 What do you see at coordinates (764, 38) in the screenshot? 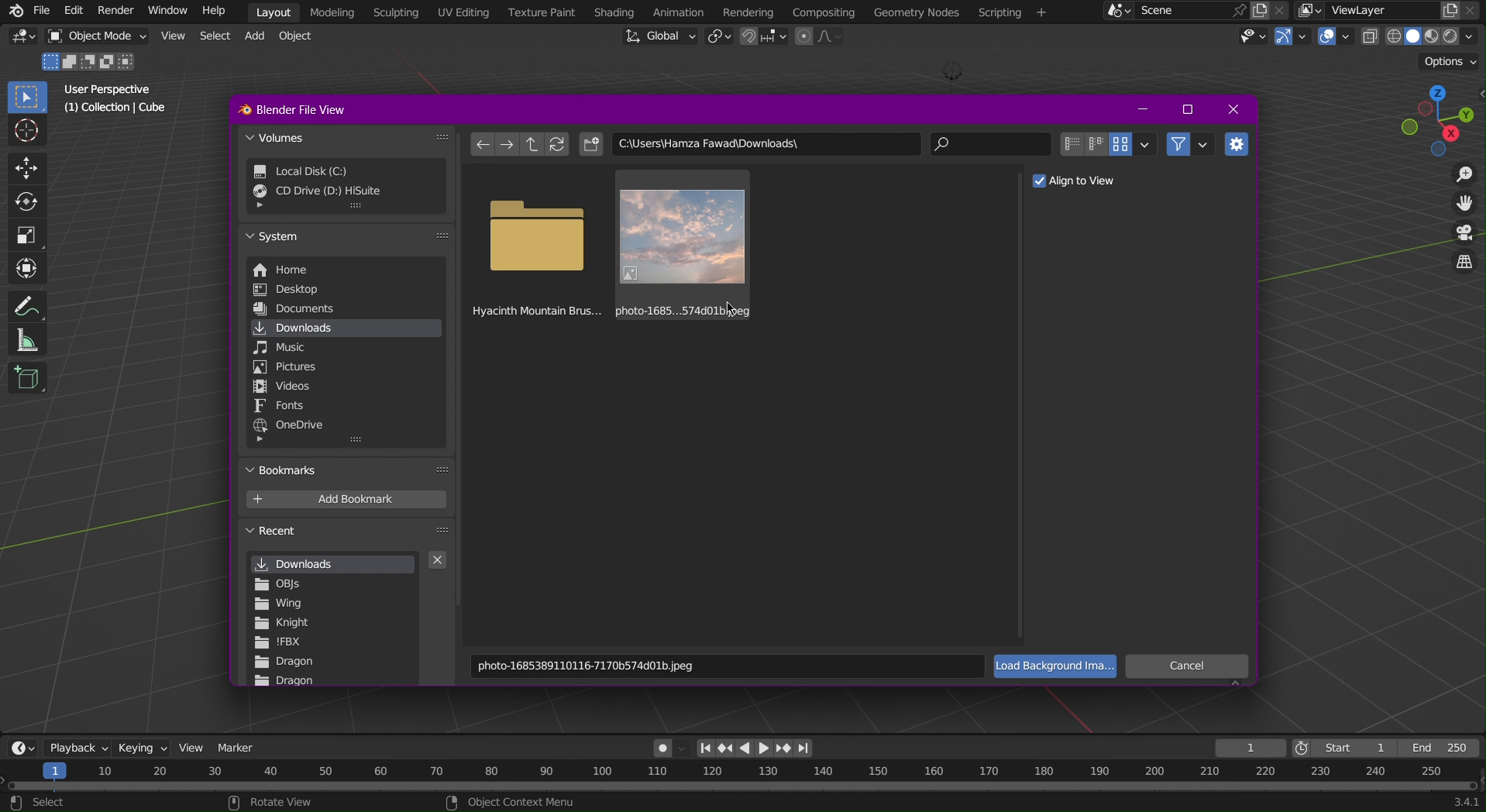
I see `Snapping` at bounding box center [764, 38].